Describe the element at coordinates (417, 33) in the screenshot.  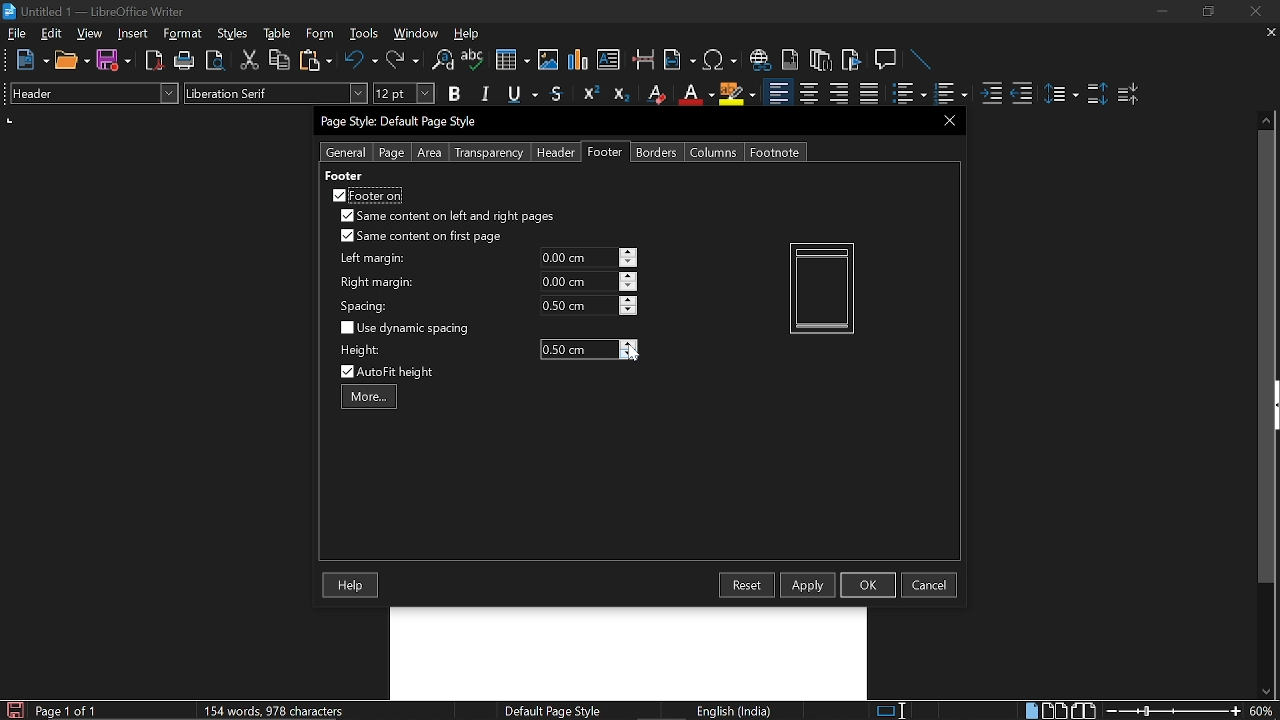
I see `WIndow` at that location.